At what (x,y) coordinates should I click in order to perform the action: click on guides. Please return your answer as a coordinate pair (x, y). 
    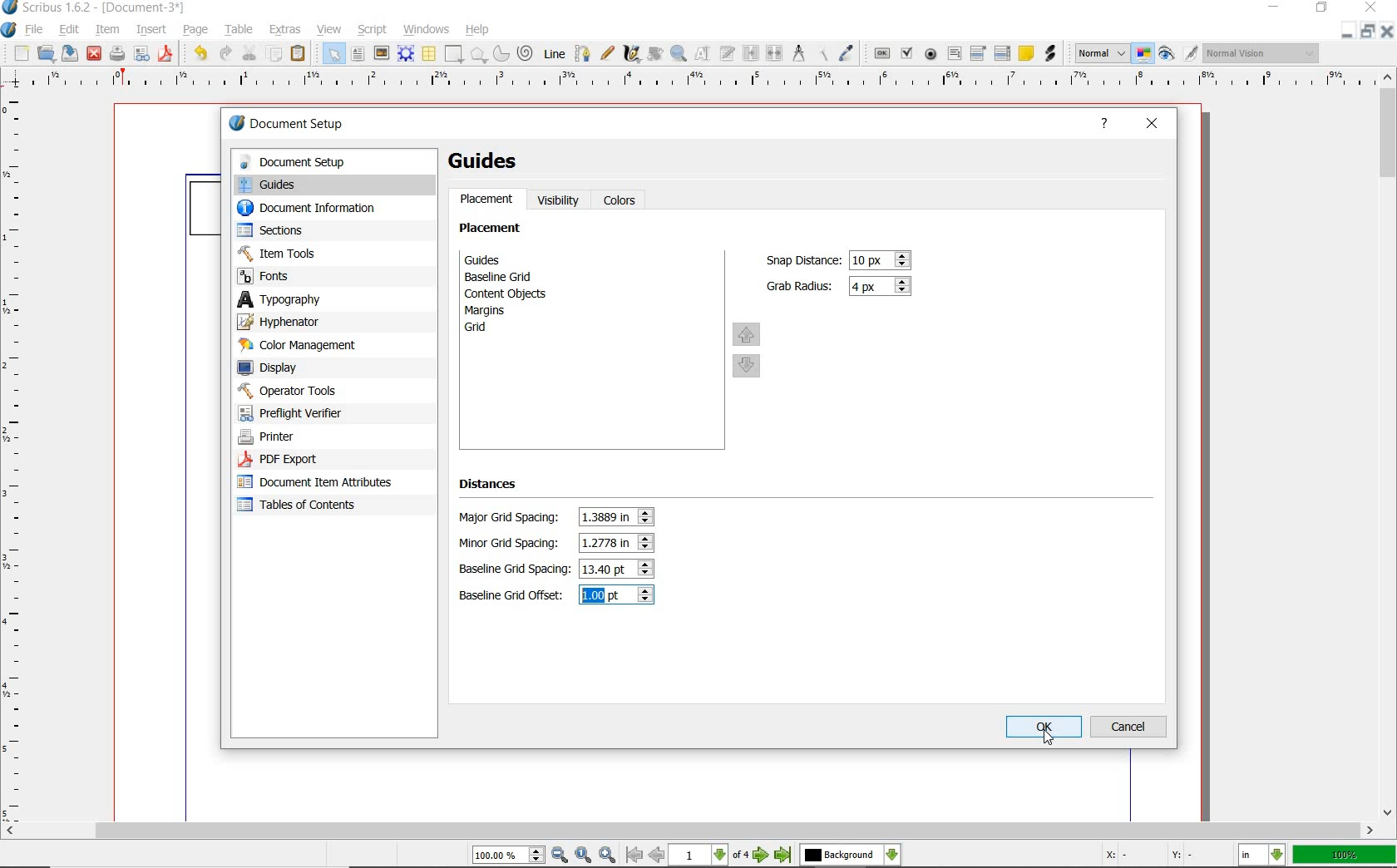
    Looking at the image, I should click on (491, 161).